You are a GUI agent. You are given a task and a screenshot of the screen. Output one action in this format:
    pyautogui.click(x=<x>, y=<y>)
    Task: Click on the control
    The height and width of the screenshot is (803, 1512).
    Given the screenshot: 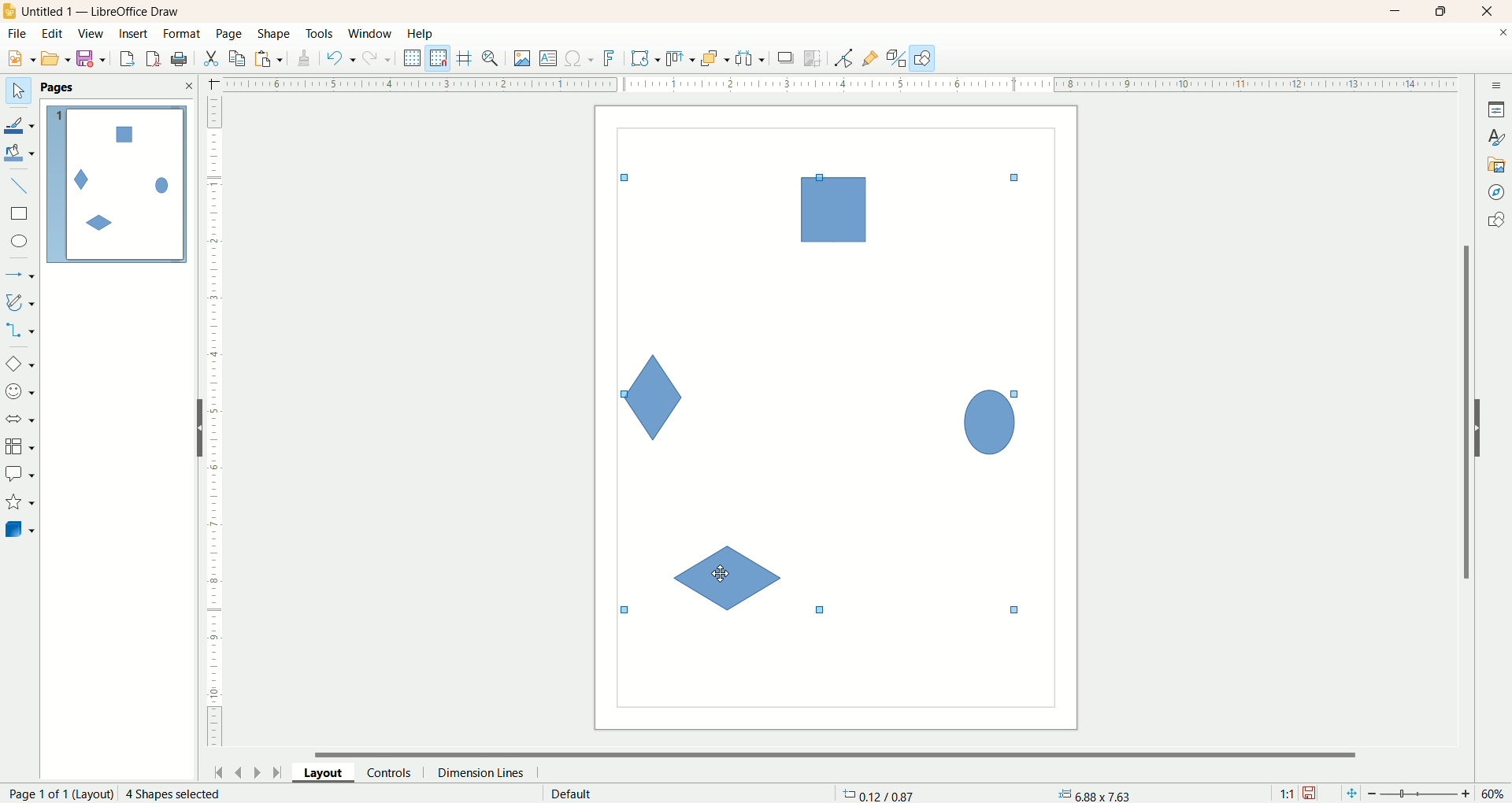 What is the action you would take?
    pyautogui.click(x=396, y=772)
    